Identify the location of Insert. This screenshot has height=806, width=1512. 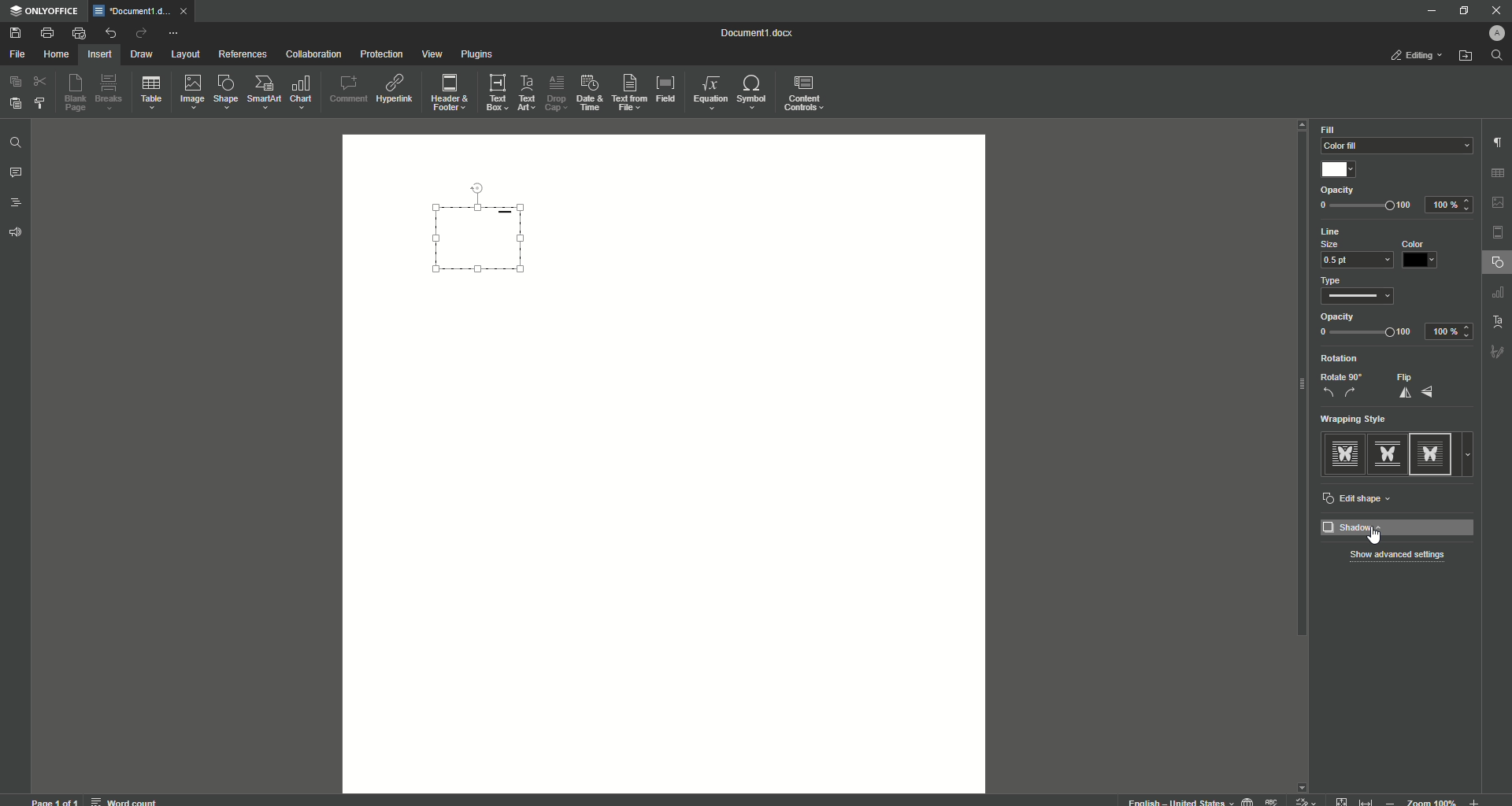
(98, 54).